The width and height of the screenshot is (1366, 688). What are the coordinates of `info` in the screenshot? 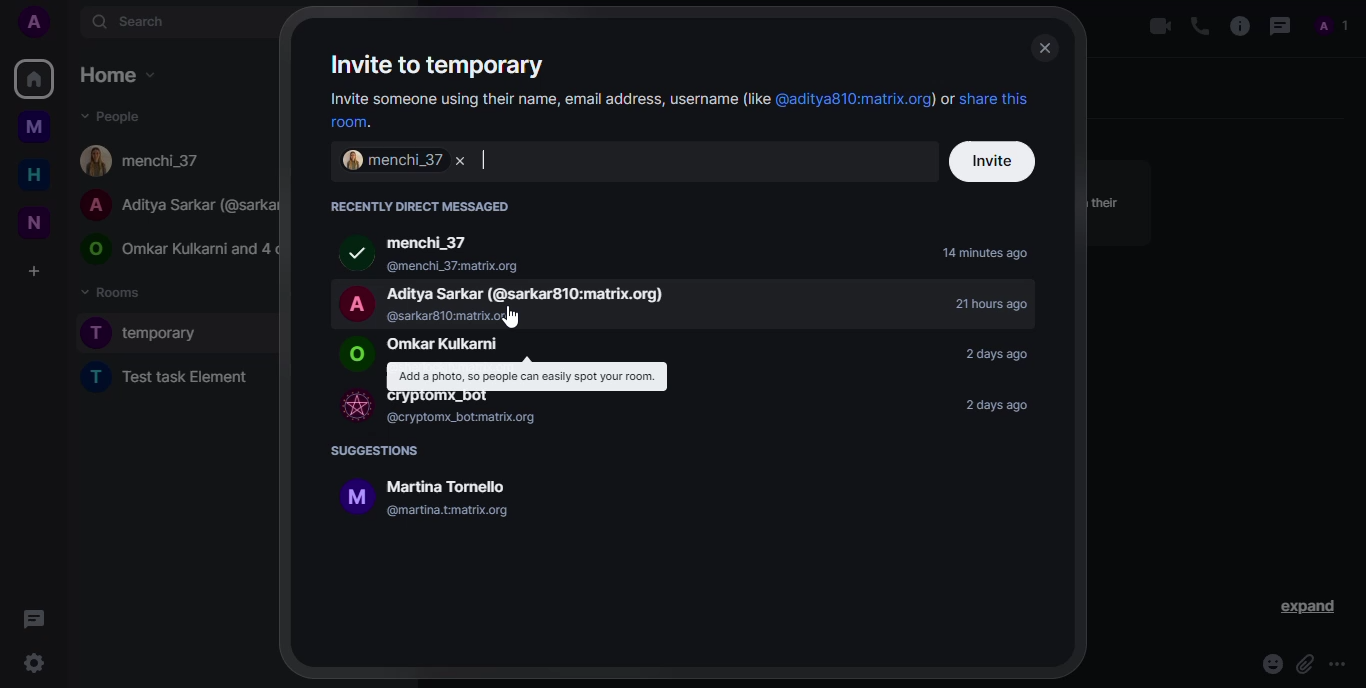 It's located at (686, 437).